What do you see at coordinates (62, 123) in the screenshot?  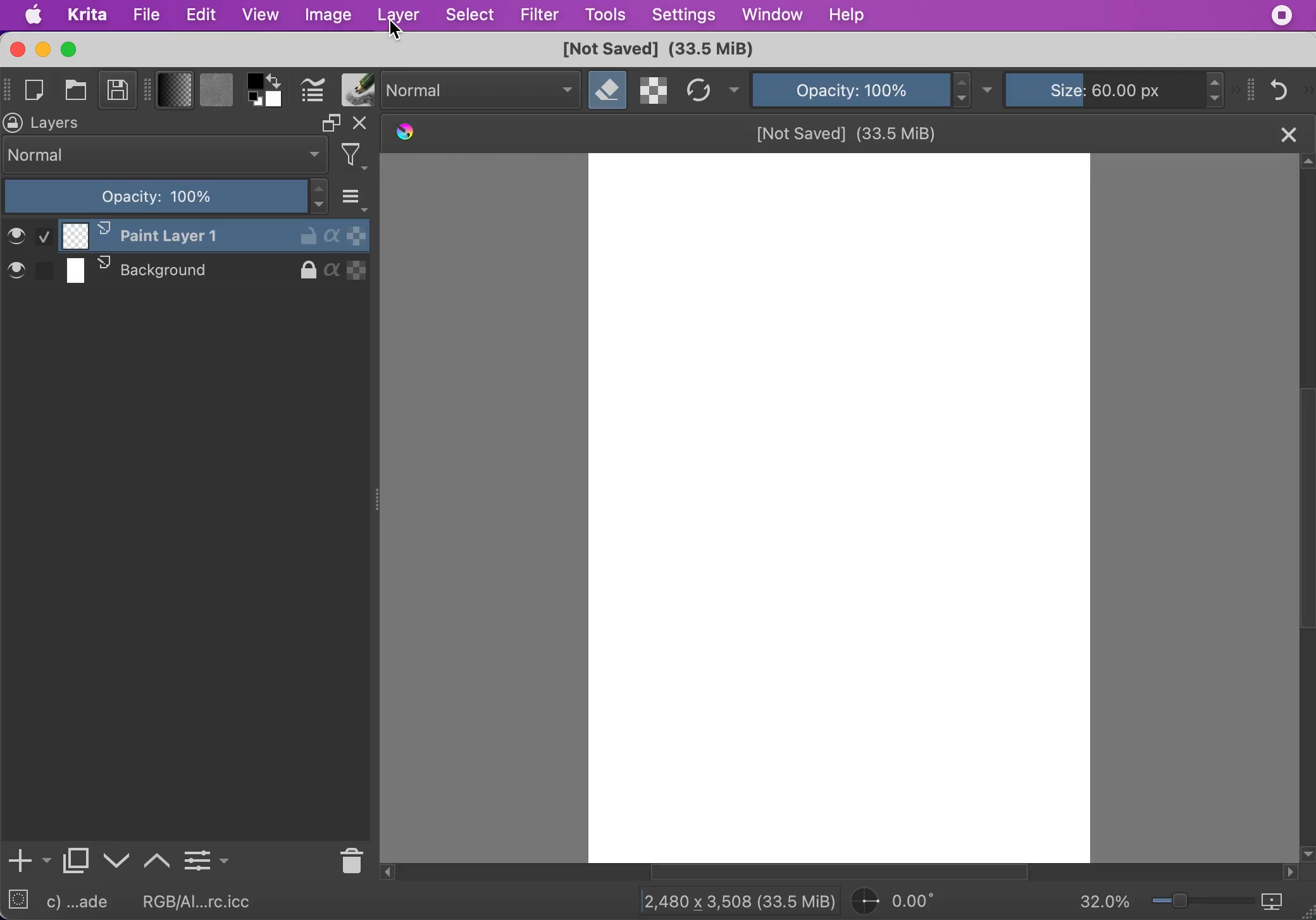 I see `layers` at bounding box center [62, 123].